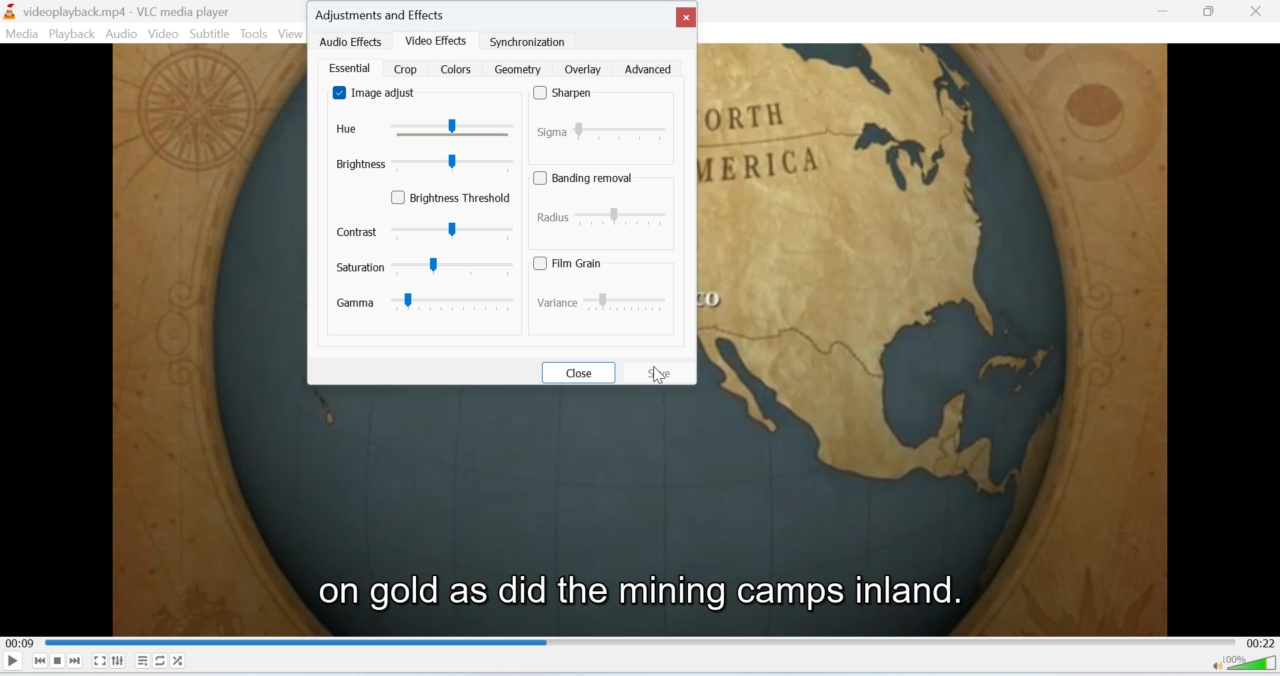 The width and height of the screenshot is (1280, 676). I want to click on Video, so click(165, 34).